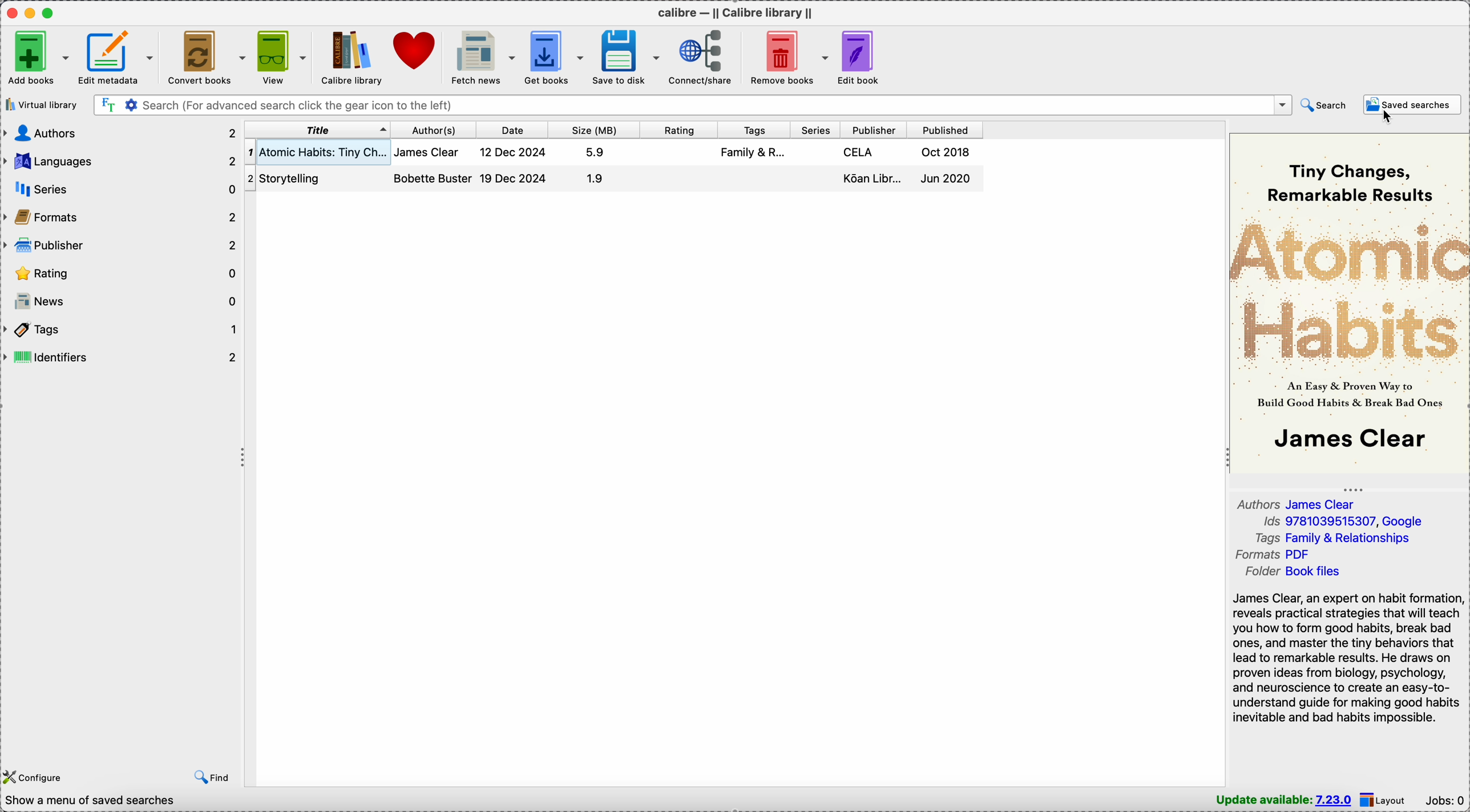 The image size is (1470, 812). What do you see at coordinates (950, 168) in the screenshot?
I see `published date` at bounding box center [950, 168].